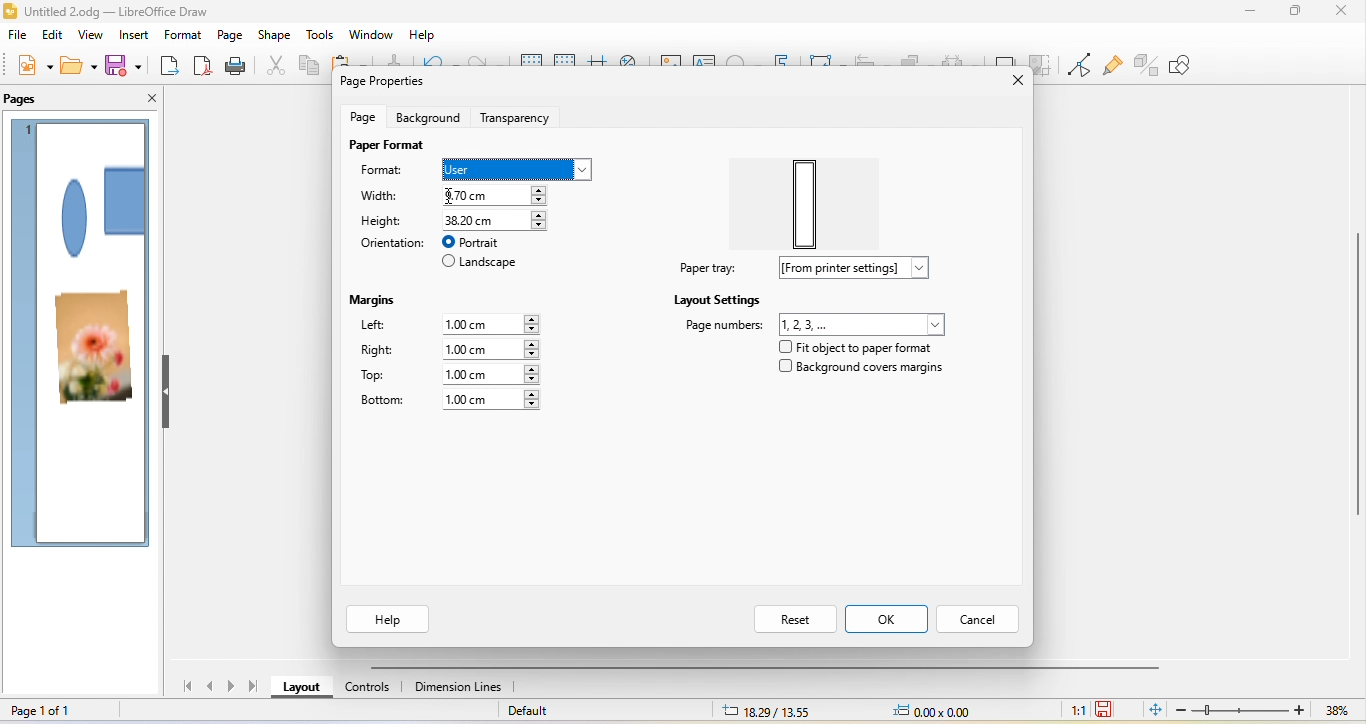 The height and width of the screenshot is (724, 1366). Describe the element at coordinates (363, 692) in the screenshot. I see `controls` at that location.